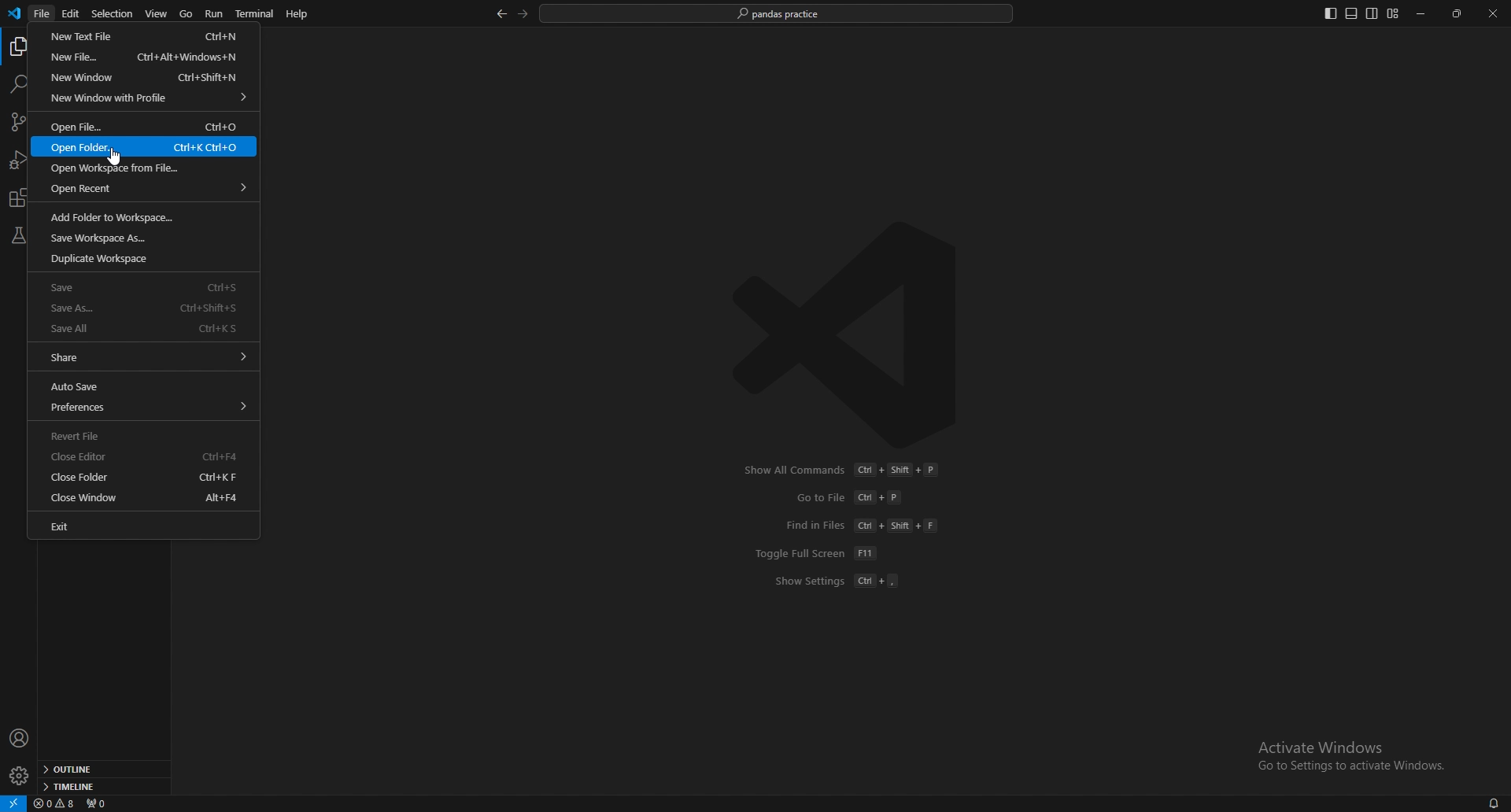  What do you see at coordinates (146, 407) in the screenshot?
I see `preferences` at bounding box center [146, 407].